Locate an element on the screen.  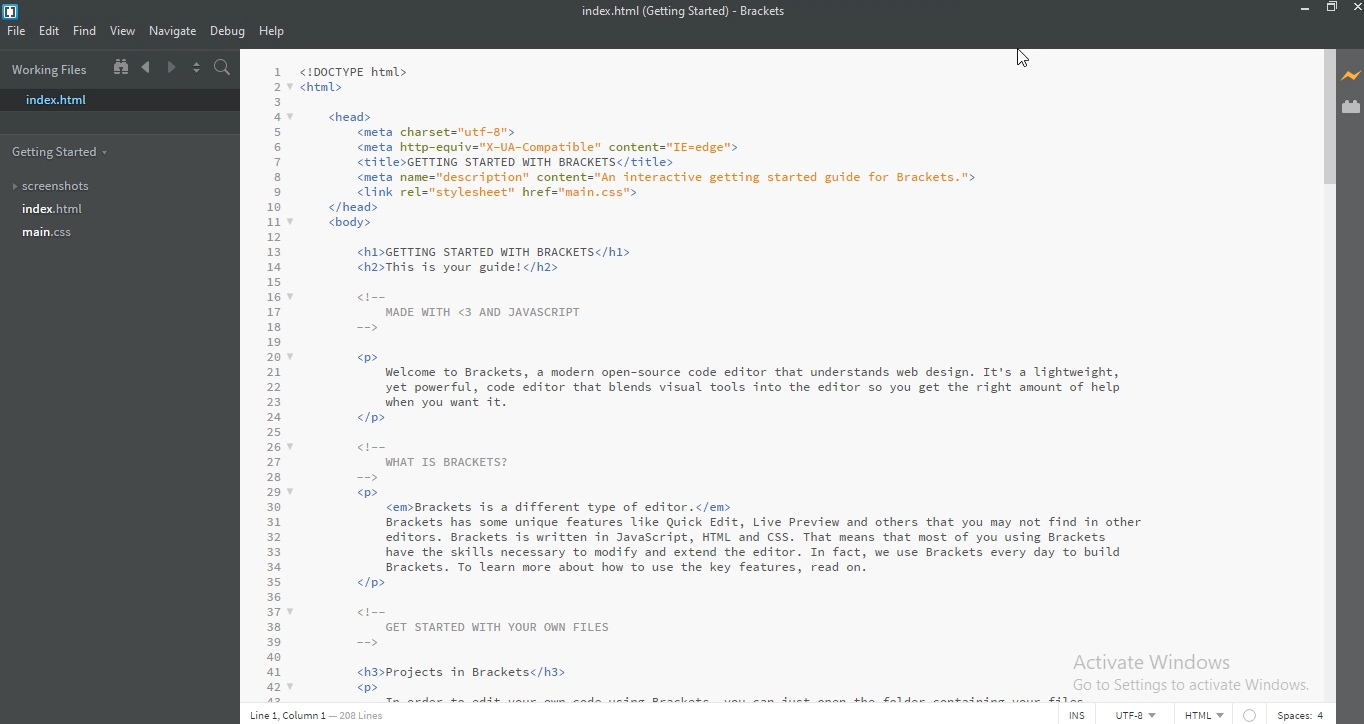
index html (Getting Started) - Brackets is located at coordinates (677, 15).